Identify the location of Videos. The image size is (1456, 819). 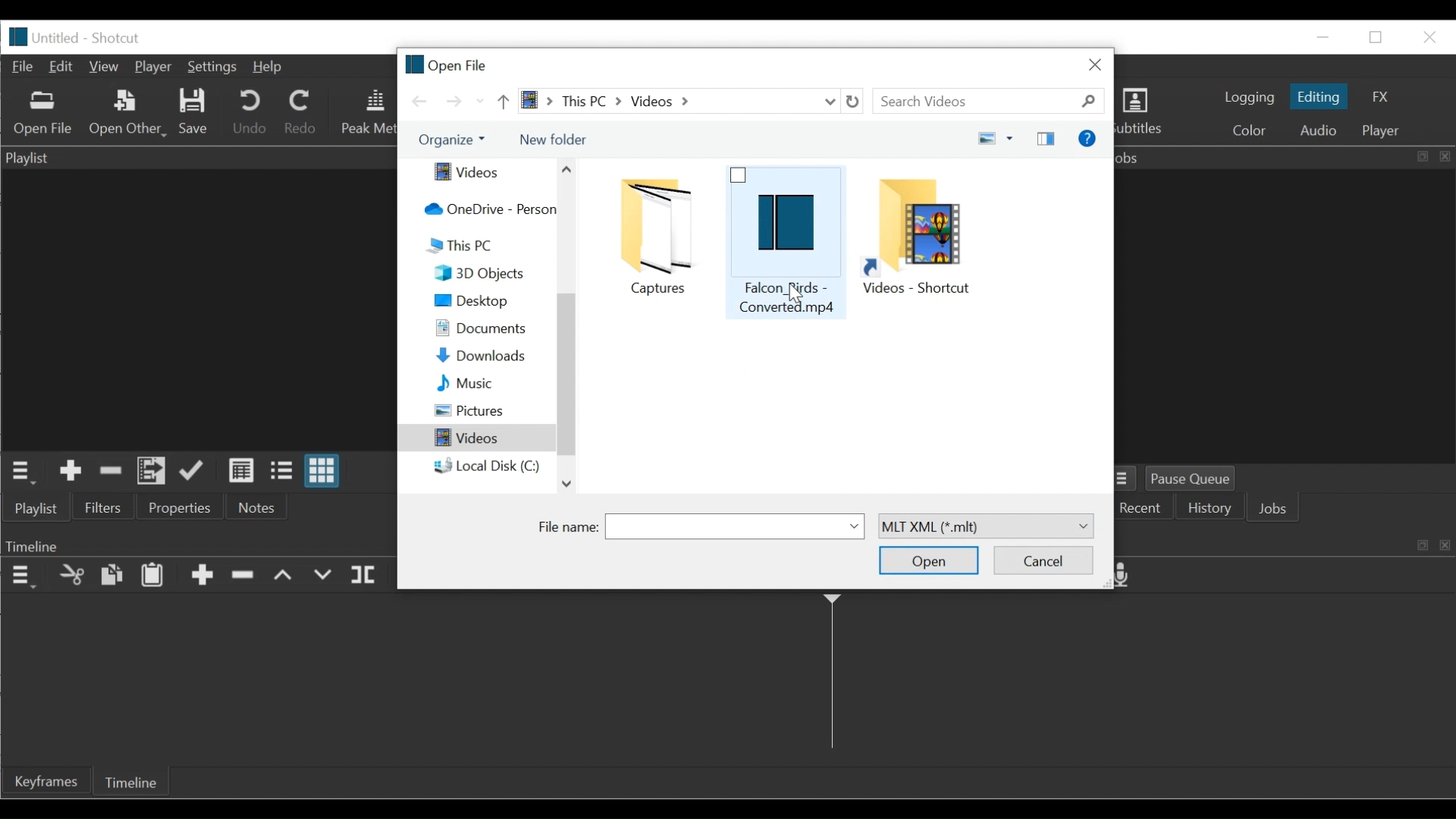
(476, 438).